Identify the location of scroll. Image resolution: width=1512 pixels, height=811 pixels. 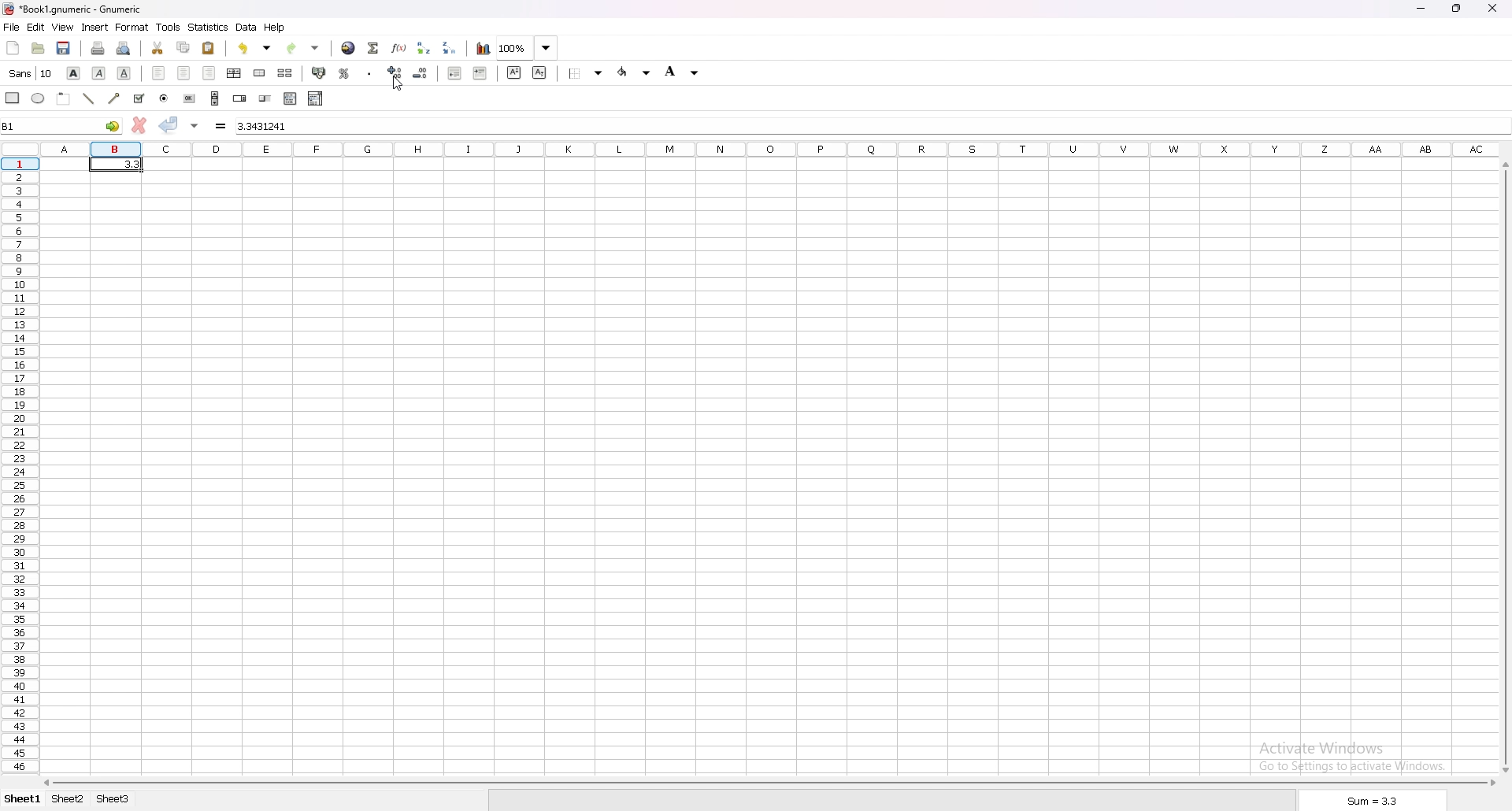
(215, 98).